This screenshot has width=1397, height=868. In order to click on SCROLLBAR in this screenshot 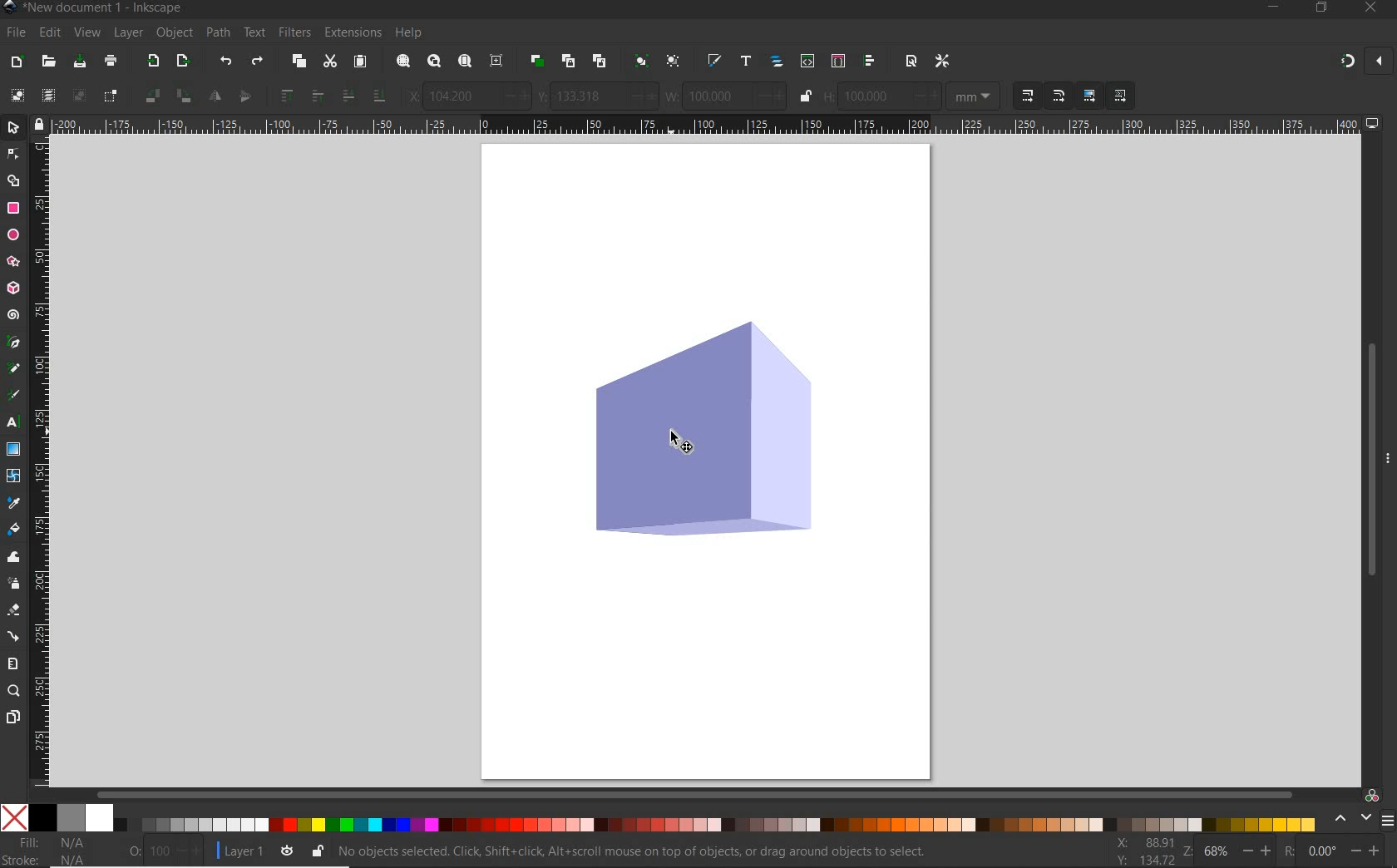, I will do `click(699, 793)`.